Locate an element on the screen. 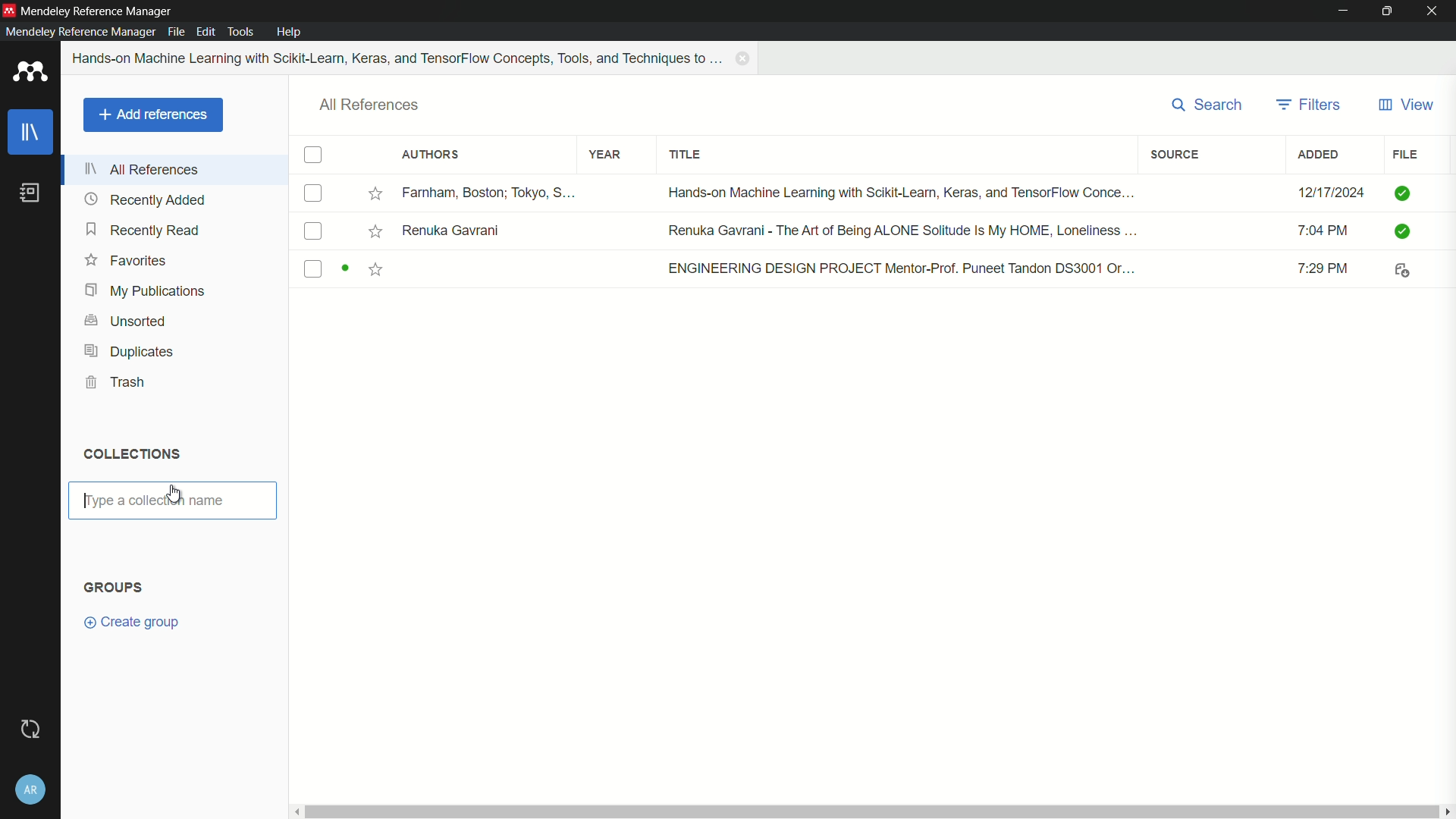 The image size is (1456, 819). book name is located at coordinates (399, 58).